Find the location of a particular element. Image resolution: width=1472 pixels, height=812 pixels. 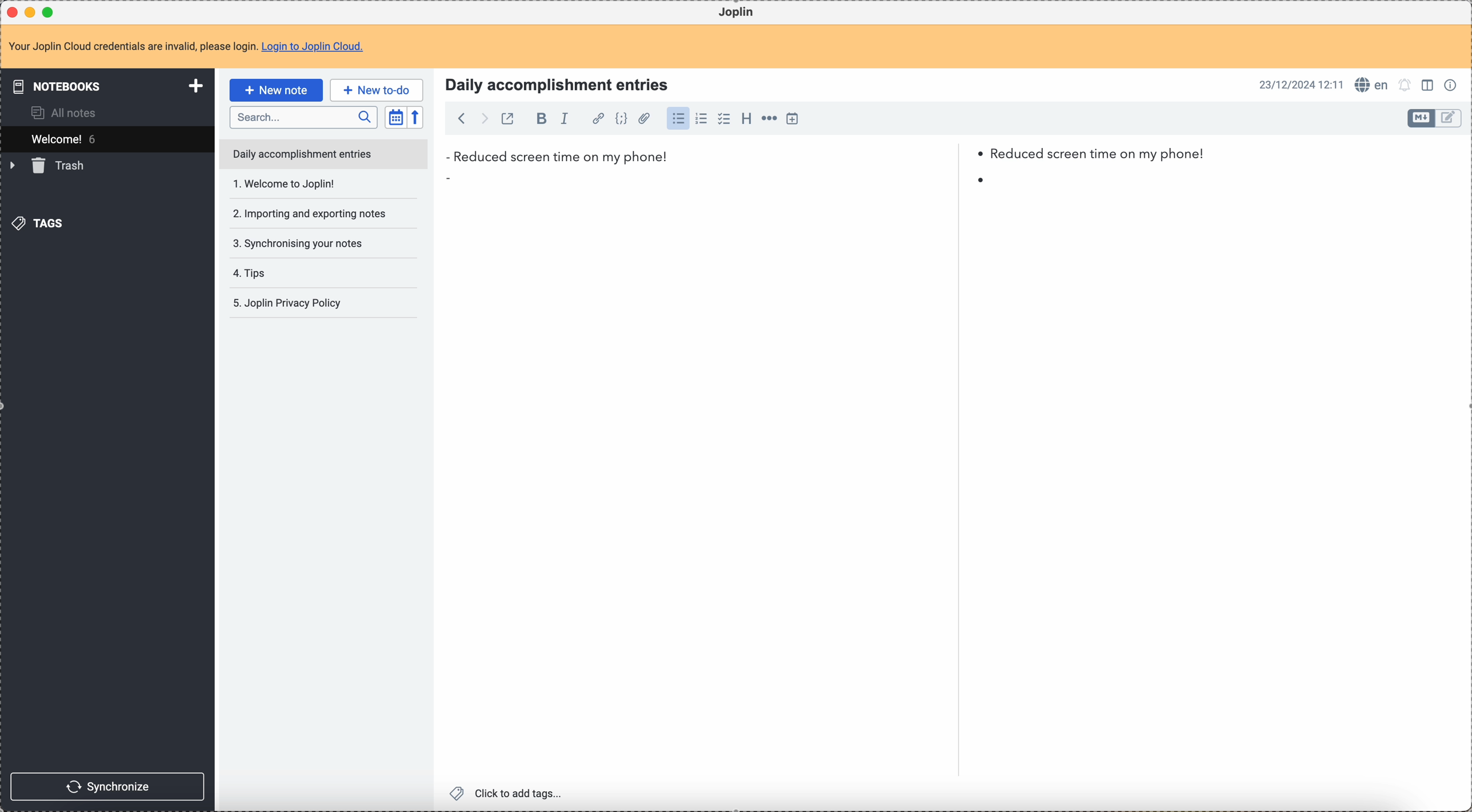

Joplin is located at coordinates (738, 13).